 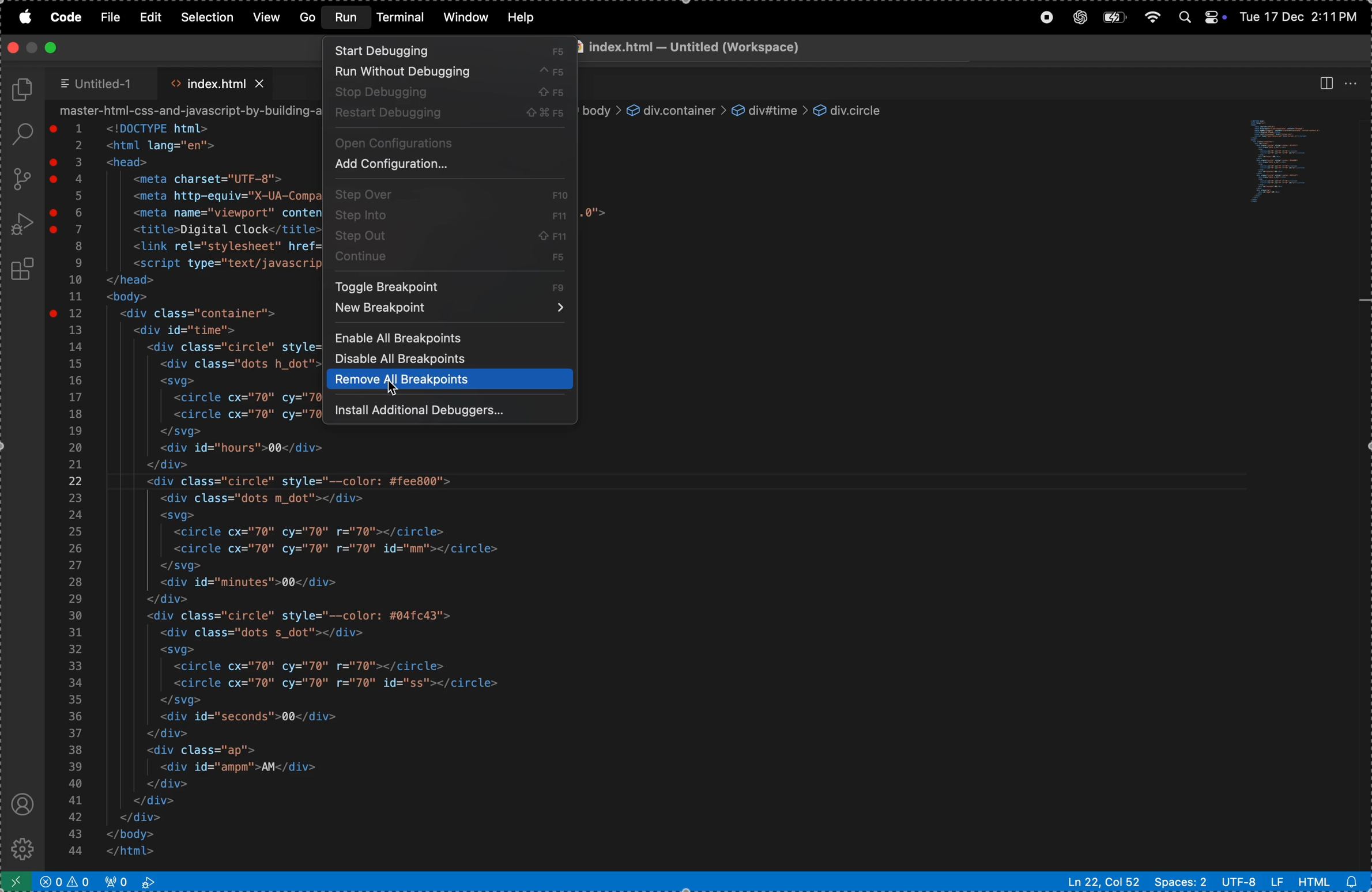 What do you see at coordinates (1179, 881) in the screenshot?
I see `spaces 2` at bounding box center [1179, 881].